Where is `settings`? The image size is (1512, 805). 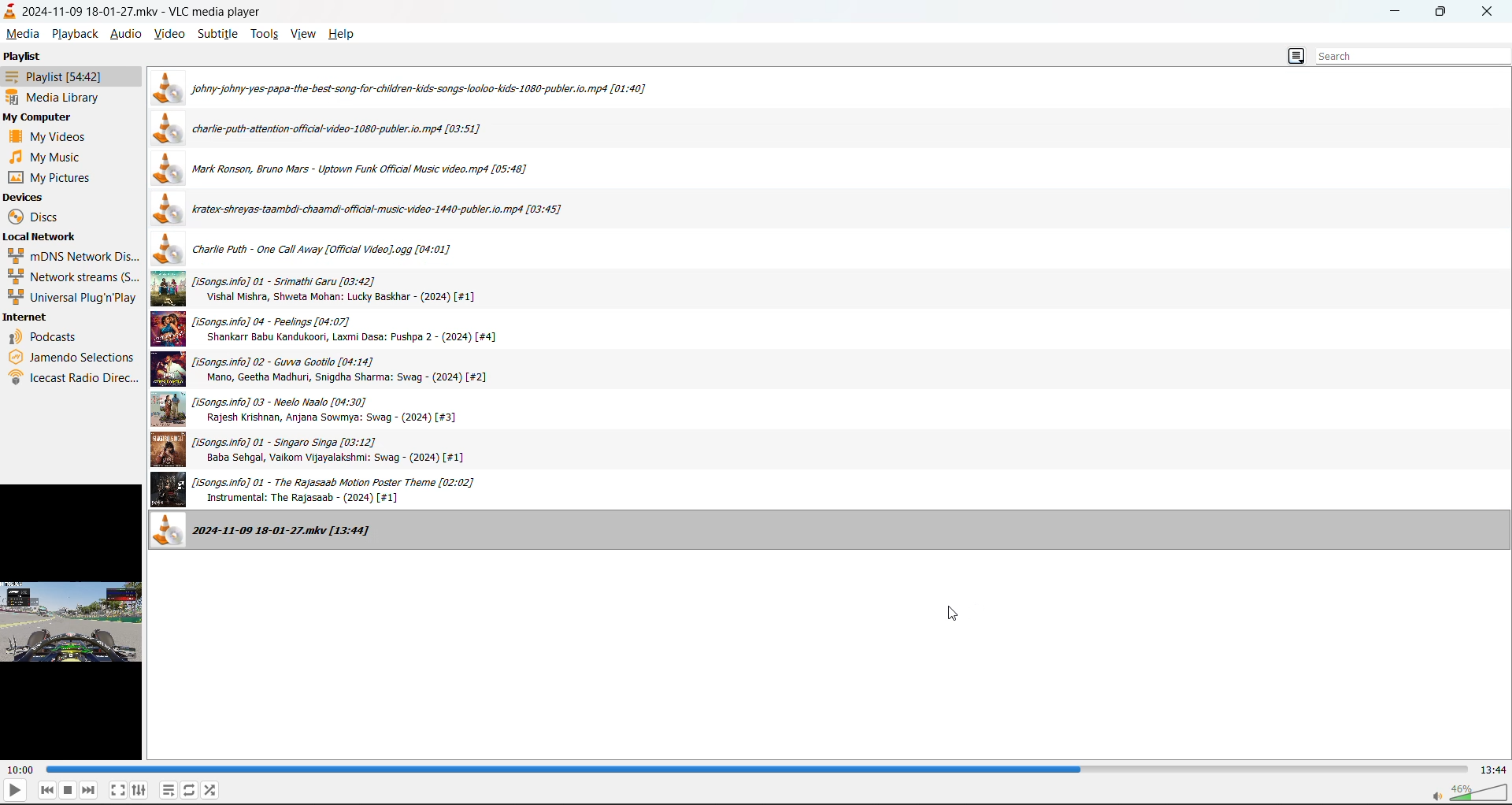 settings is located at coordinates (139, 790).